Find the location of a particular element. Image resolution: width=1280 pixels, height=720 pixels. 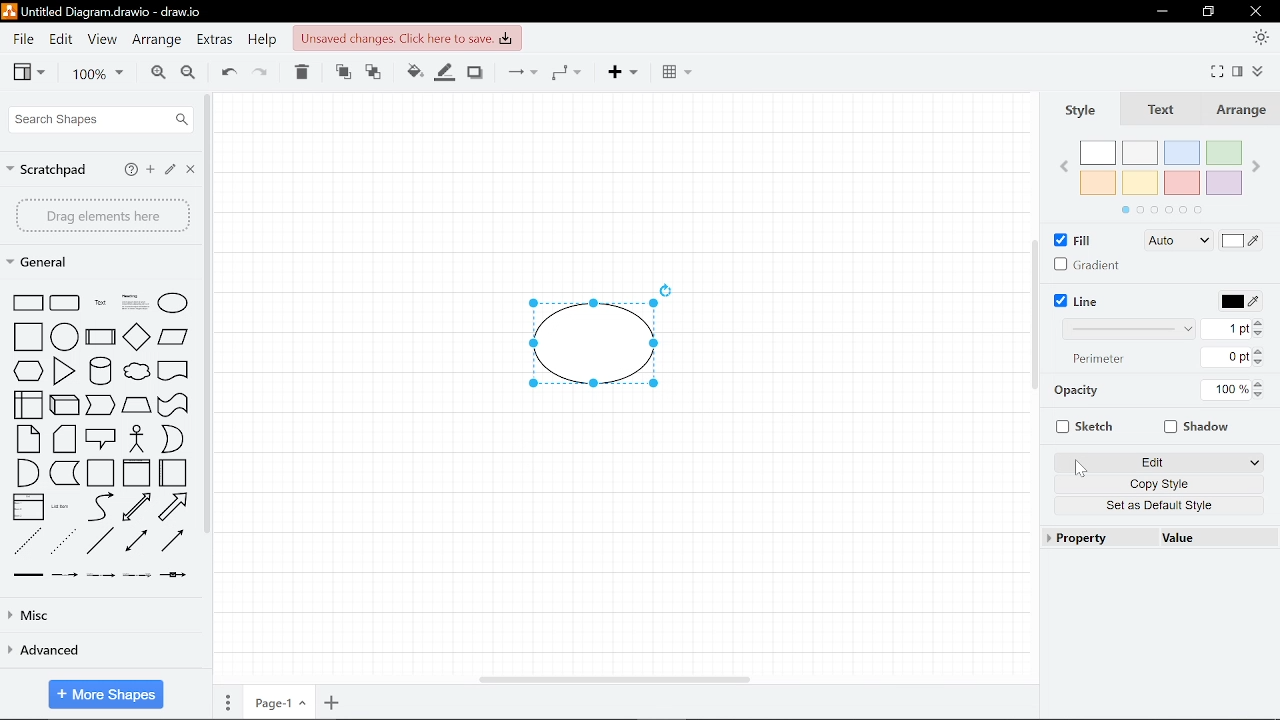

link is located at coordinates (26, 574).